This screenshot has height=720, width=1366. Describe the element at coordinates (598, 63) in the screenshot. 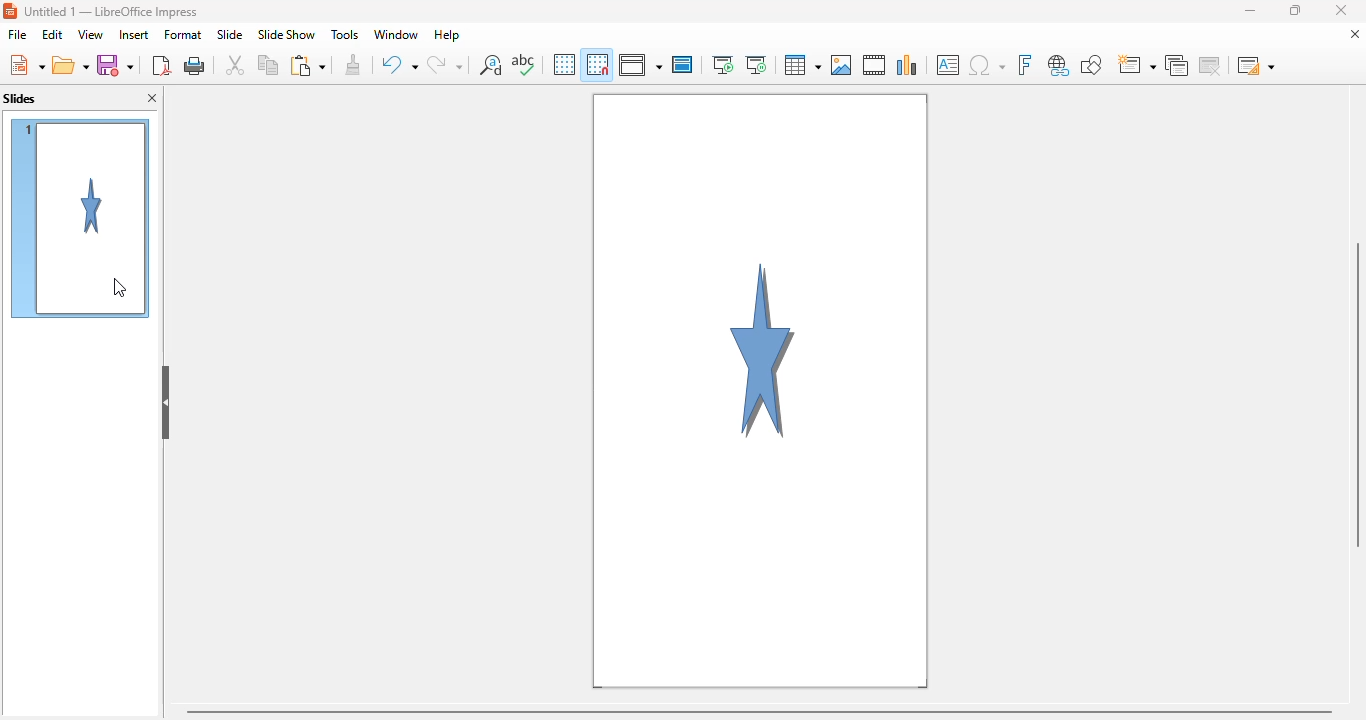

I see `snap to grid` at that location.